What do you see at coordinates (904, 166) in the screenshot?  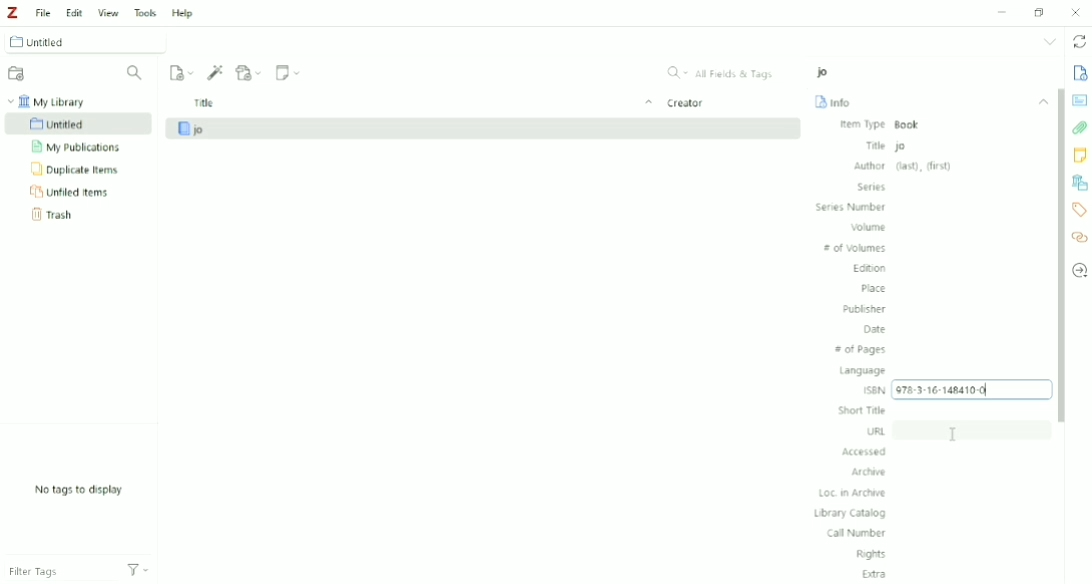 I see `Author` at bounding box center [904, 166].